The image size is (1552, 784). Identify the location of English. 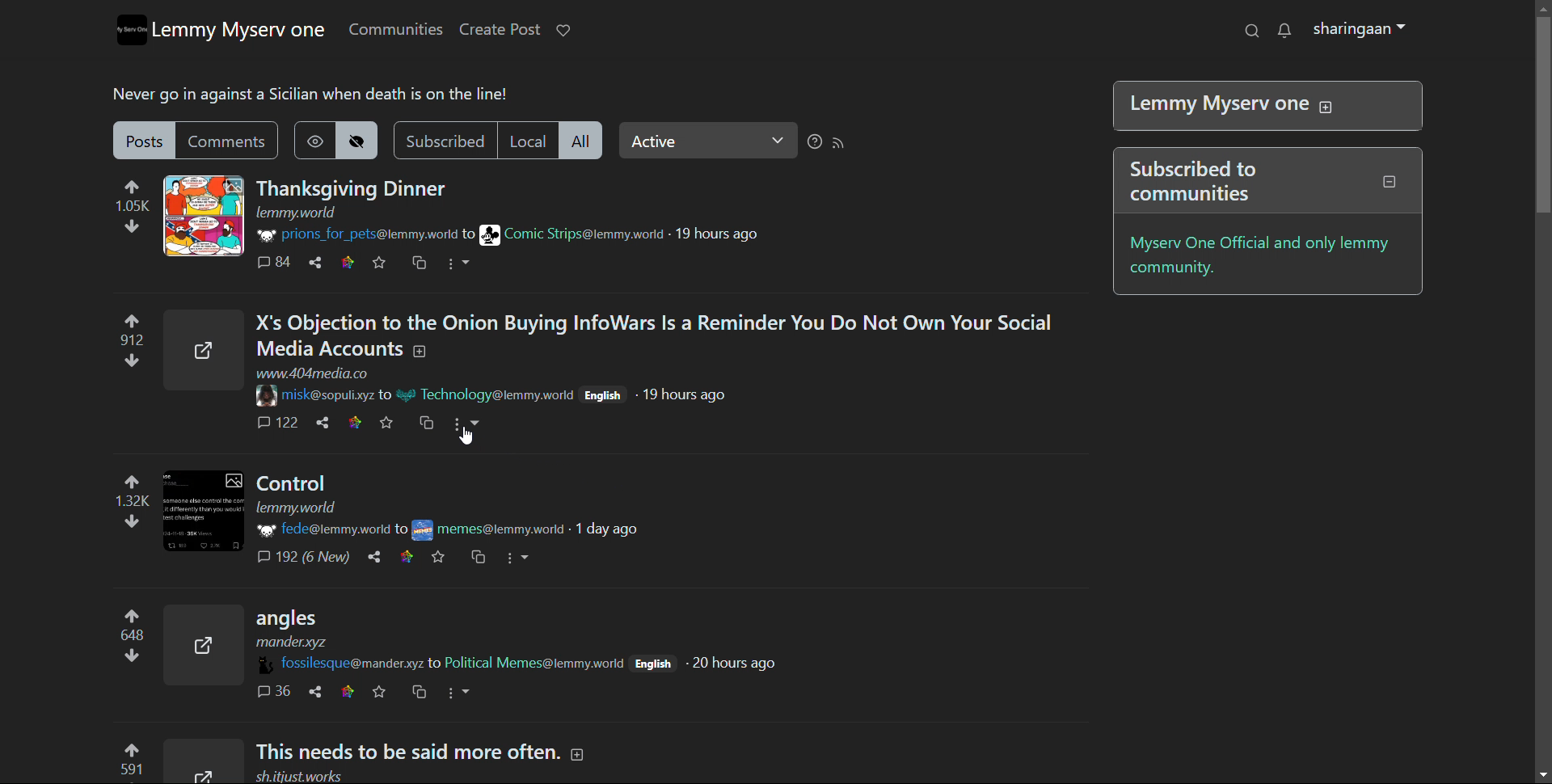
(652, 660).